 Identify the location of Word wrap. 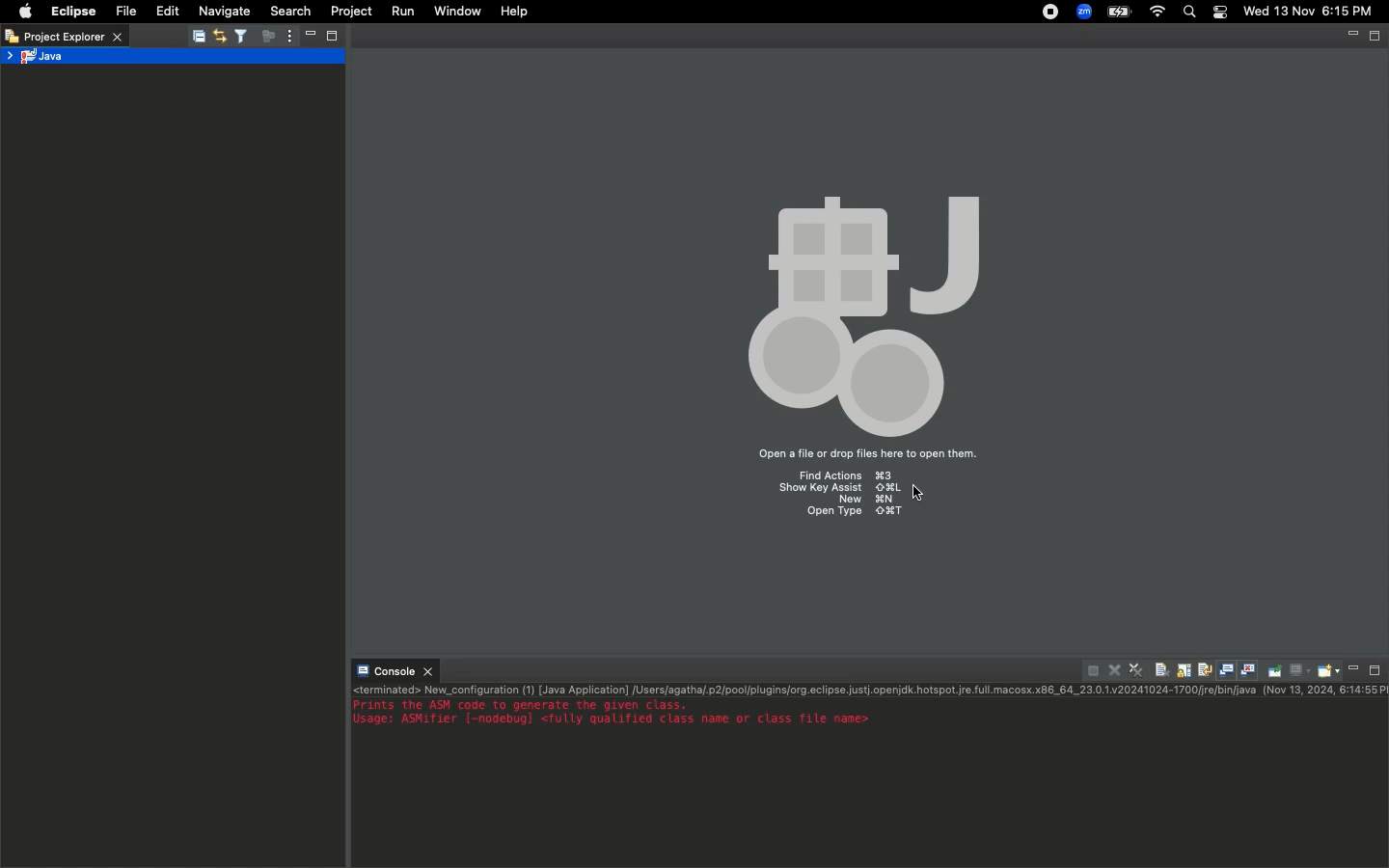
(1207, 665).